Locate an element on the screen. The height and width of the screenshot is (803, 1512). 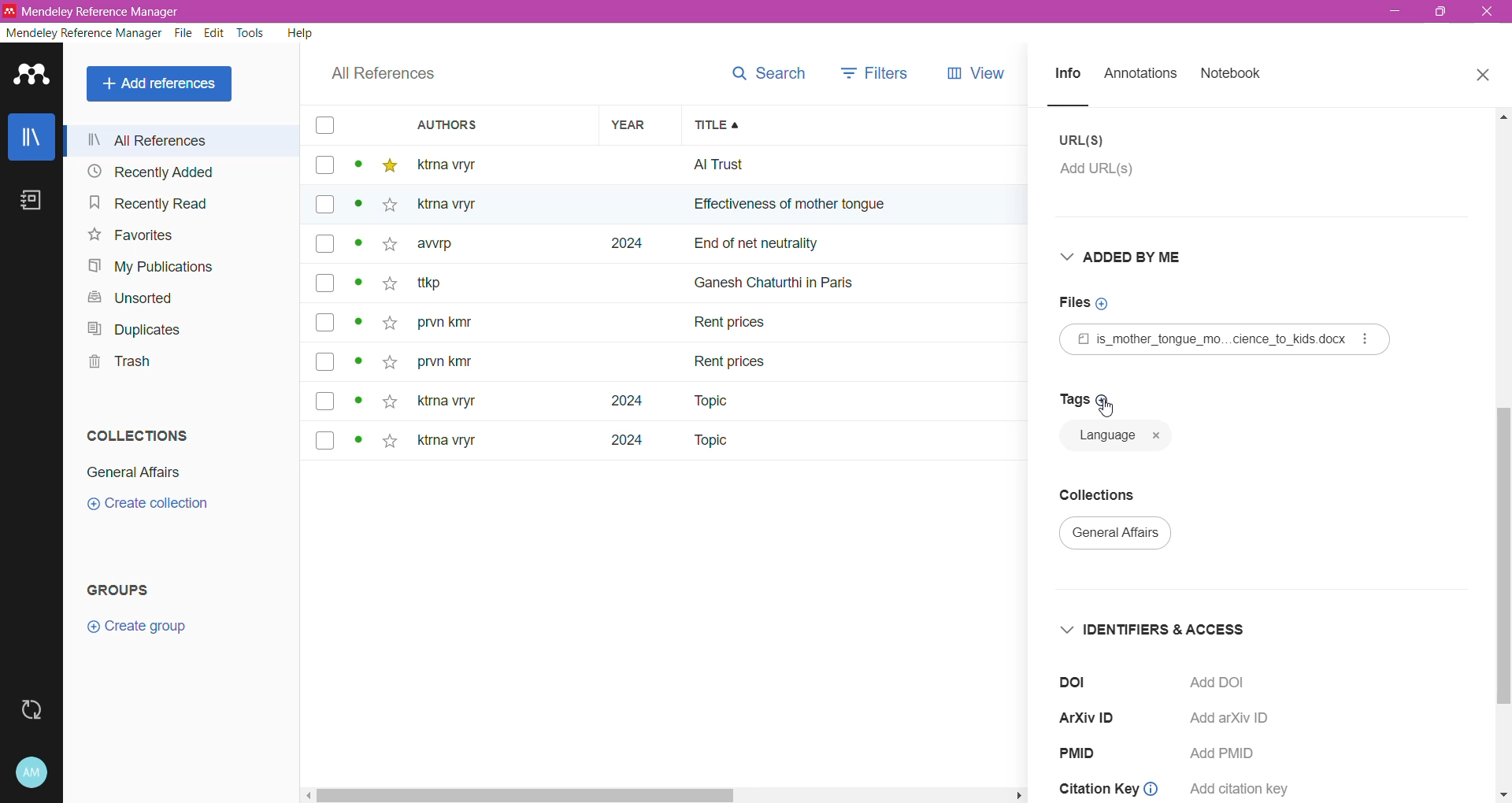
Click to Add DOI is located at coordinates (1229, 683).